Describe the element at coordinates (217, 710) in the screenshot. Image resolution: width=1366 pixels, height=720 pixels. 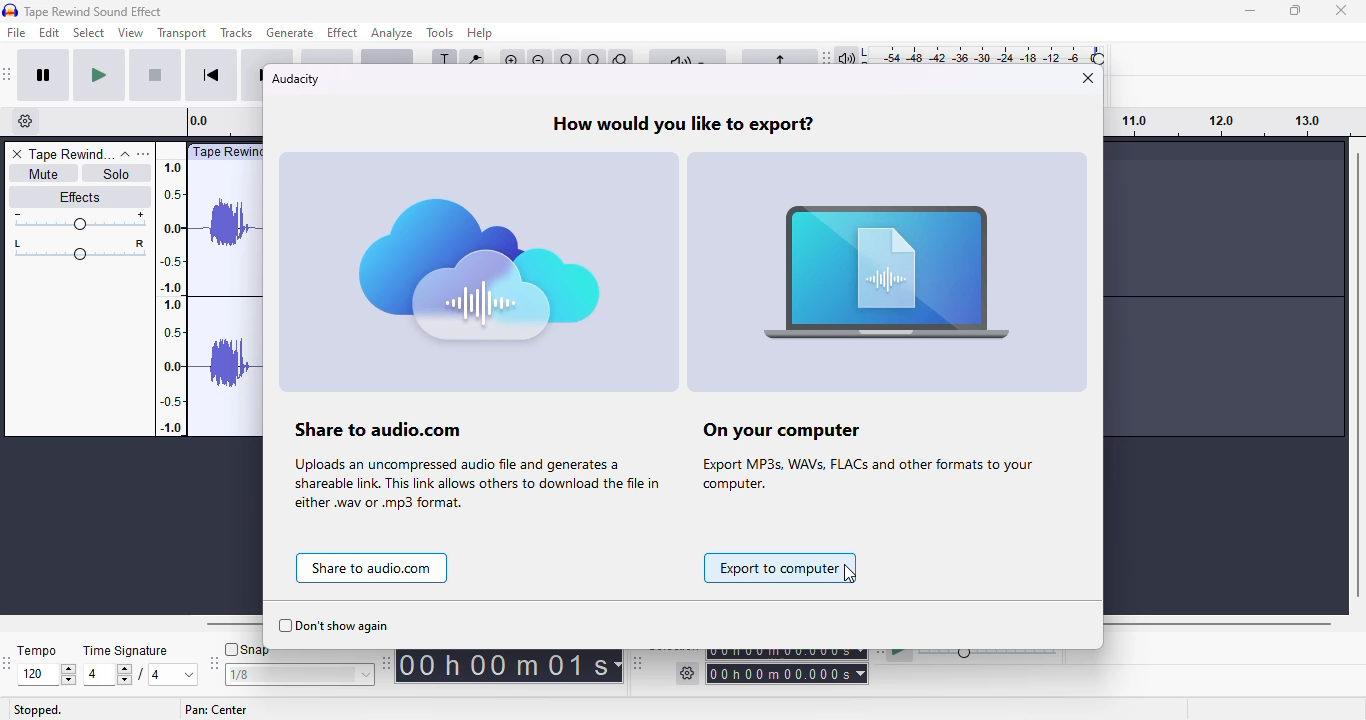
I see `Pan: Center` at that location.